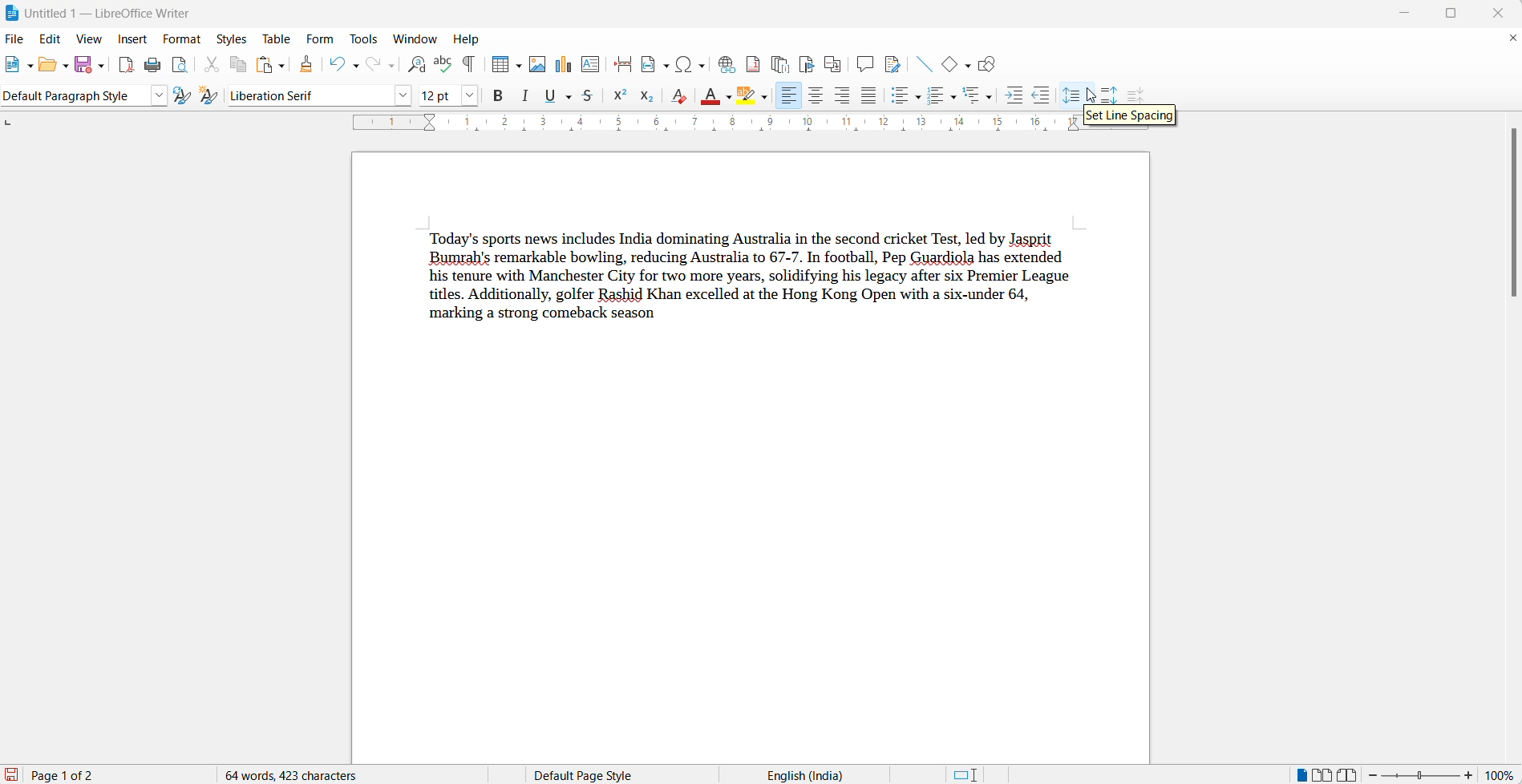  Describe the element at coordinates (731, 98) in the screenshot. I see `fill color options` at that location.